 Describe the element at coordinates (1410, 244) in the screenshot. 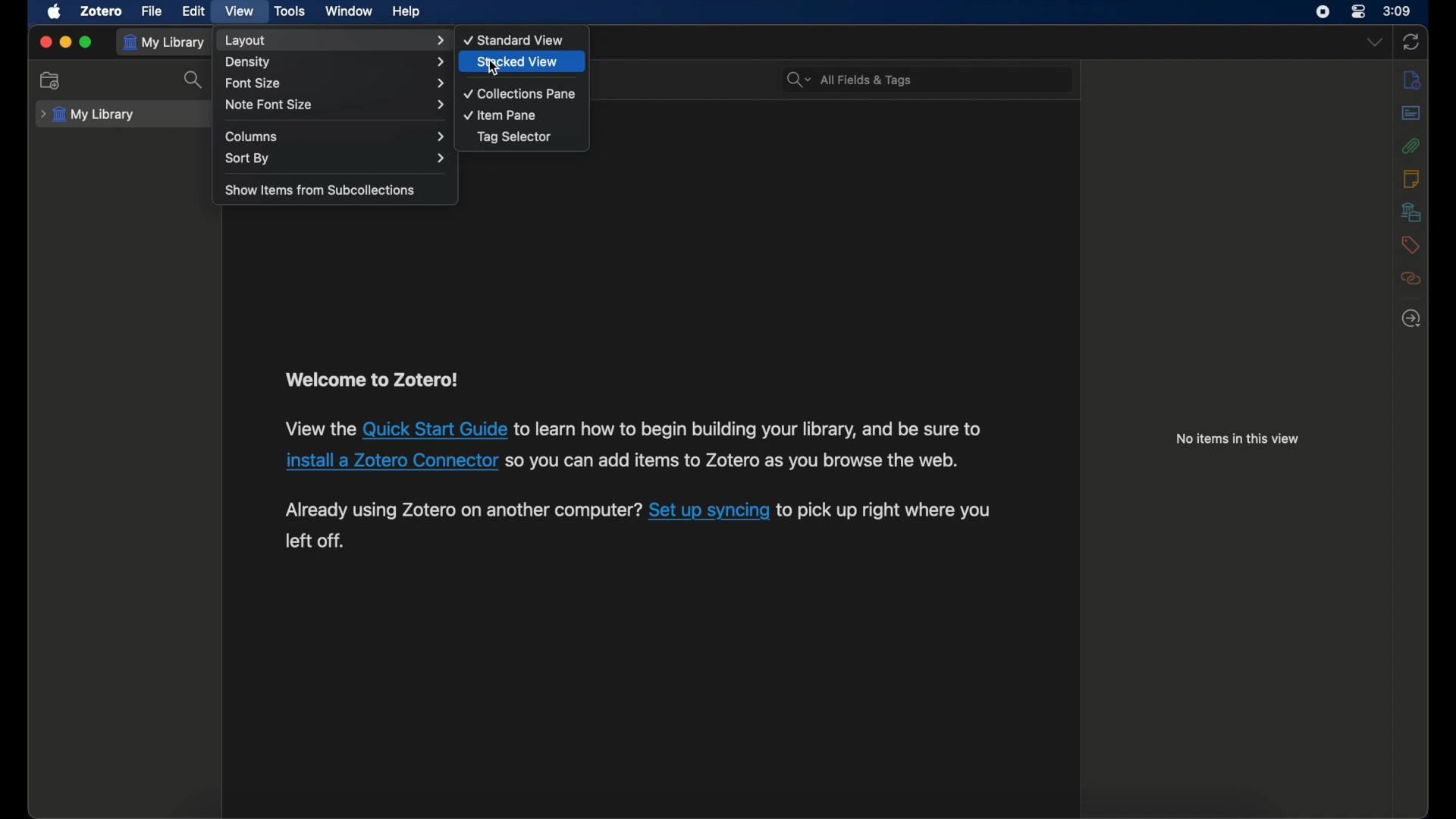

I see `tags` at that location.